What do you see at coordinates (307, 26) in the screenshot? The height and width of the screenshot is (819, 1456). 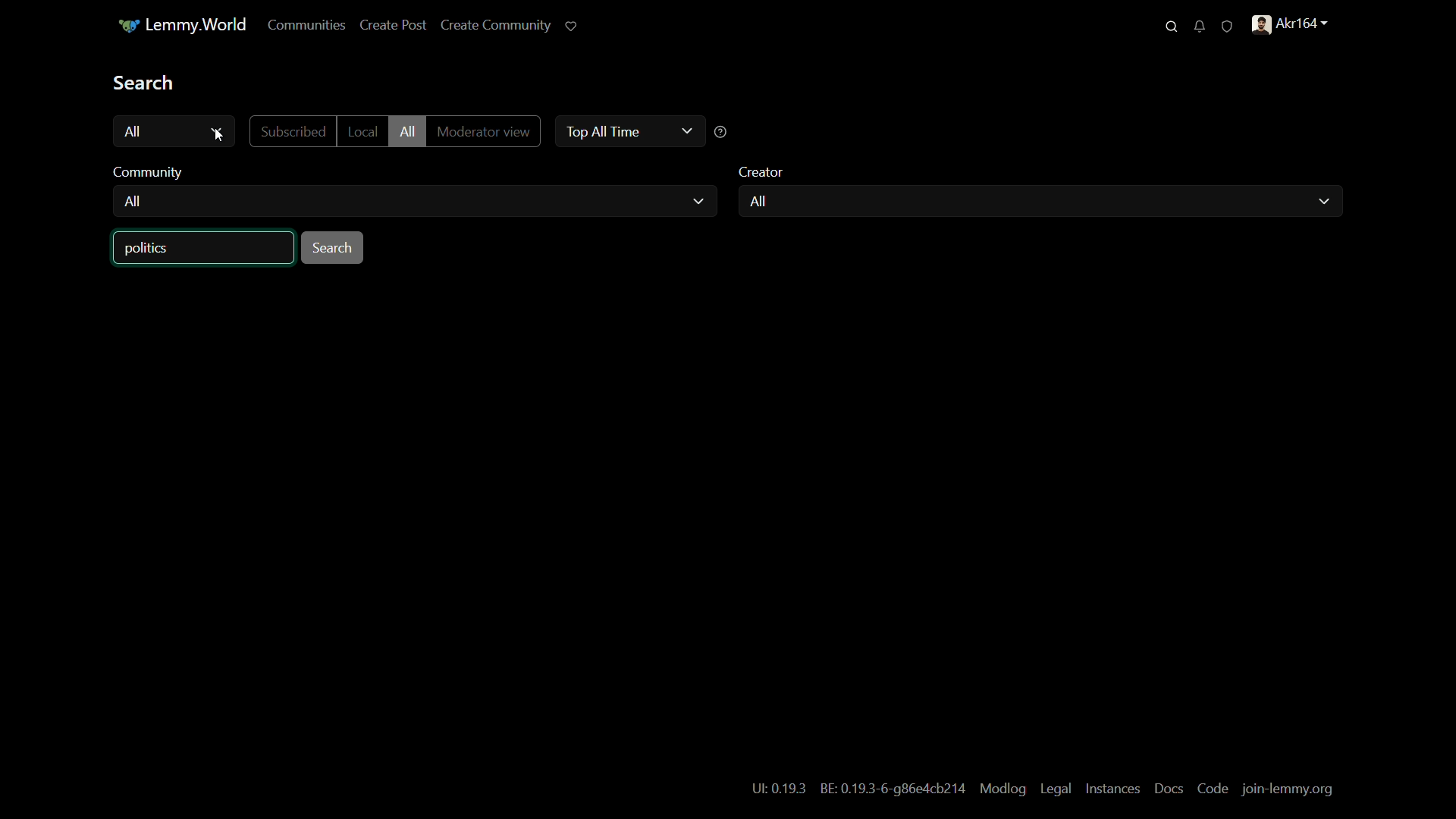 I see `communities` at bounding box center [307, 26].